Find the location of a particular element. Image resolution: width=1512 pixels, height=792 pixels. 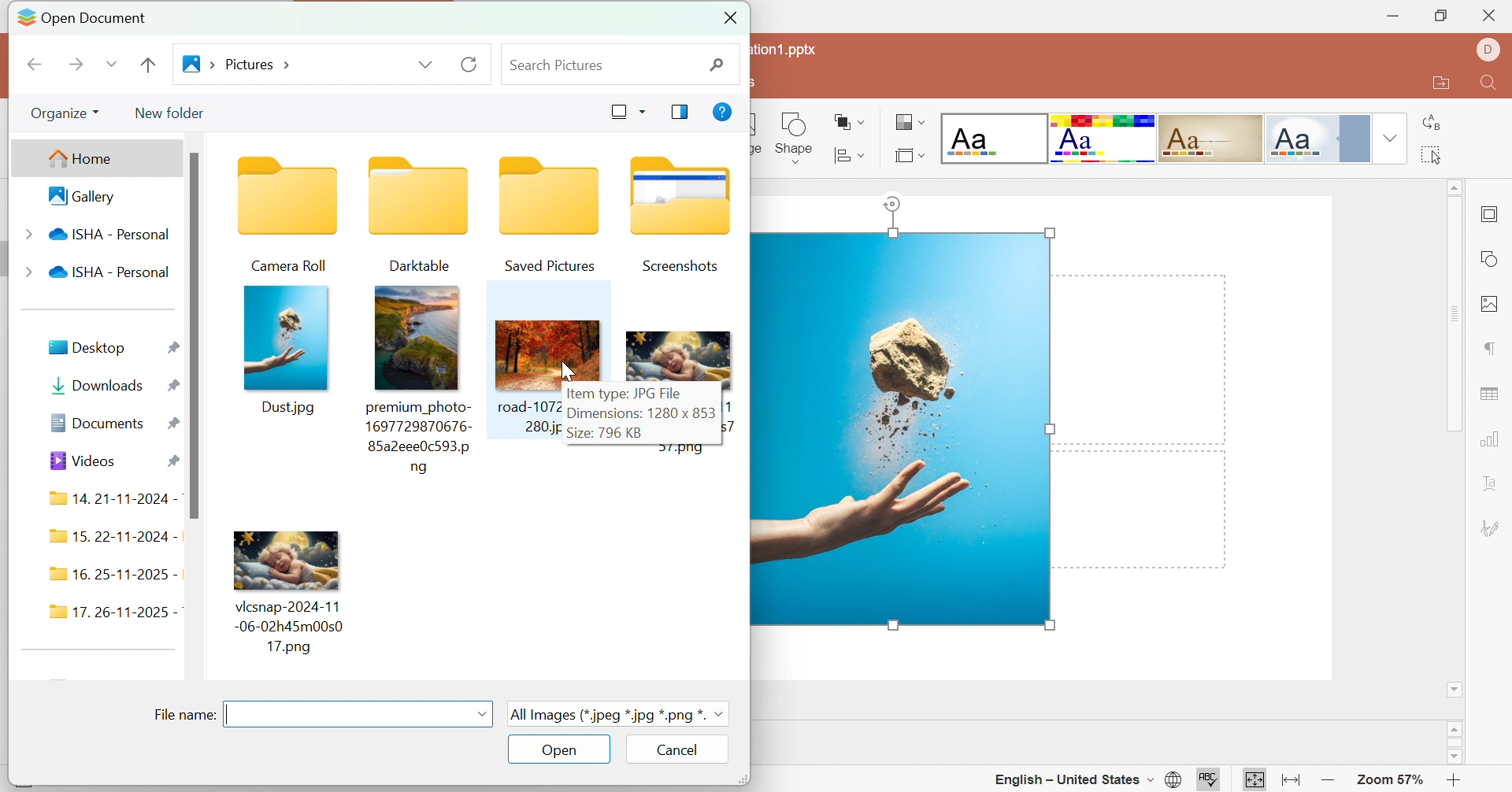

Pinned is located at coordinates (171, 349).